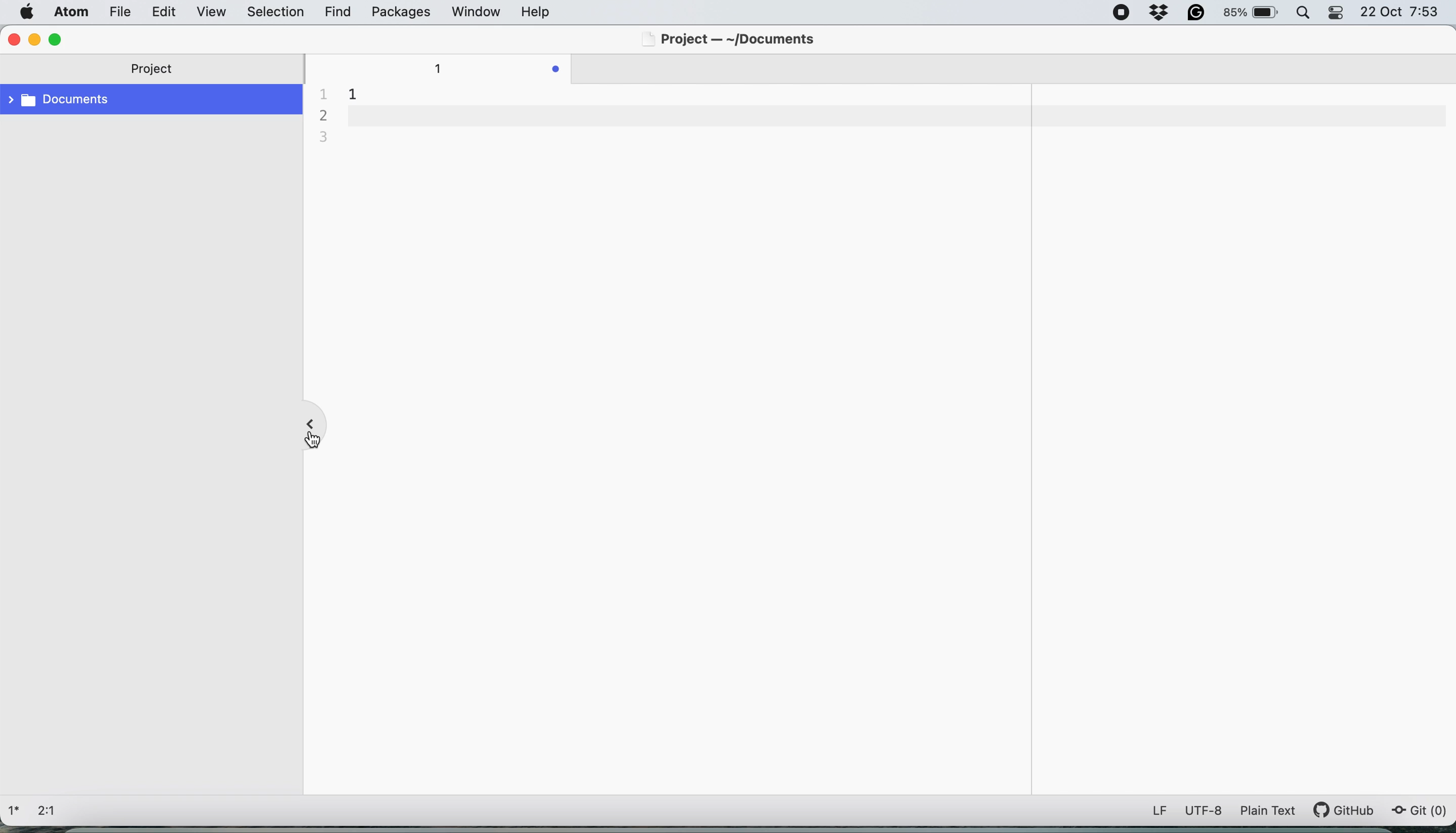 The height and width of the screenshot is (833, 1456). I want to click on file, so click(117, 11).